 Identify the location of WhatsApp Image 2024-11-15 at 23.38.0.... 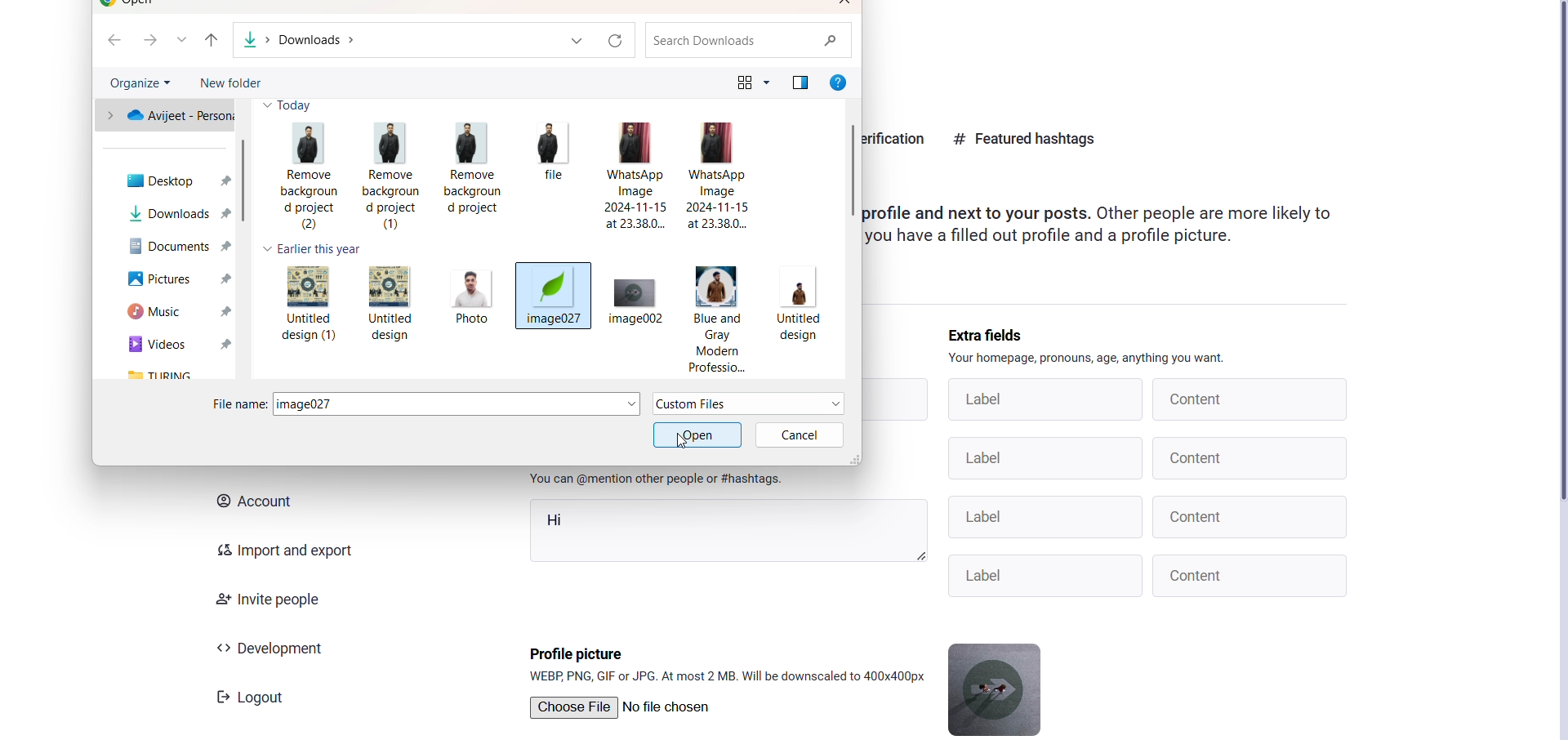
(631, 172).